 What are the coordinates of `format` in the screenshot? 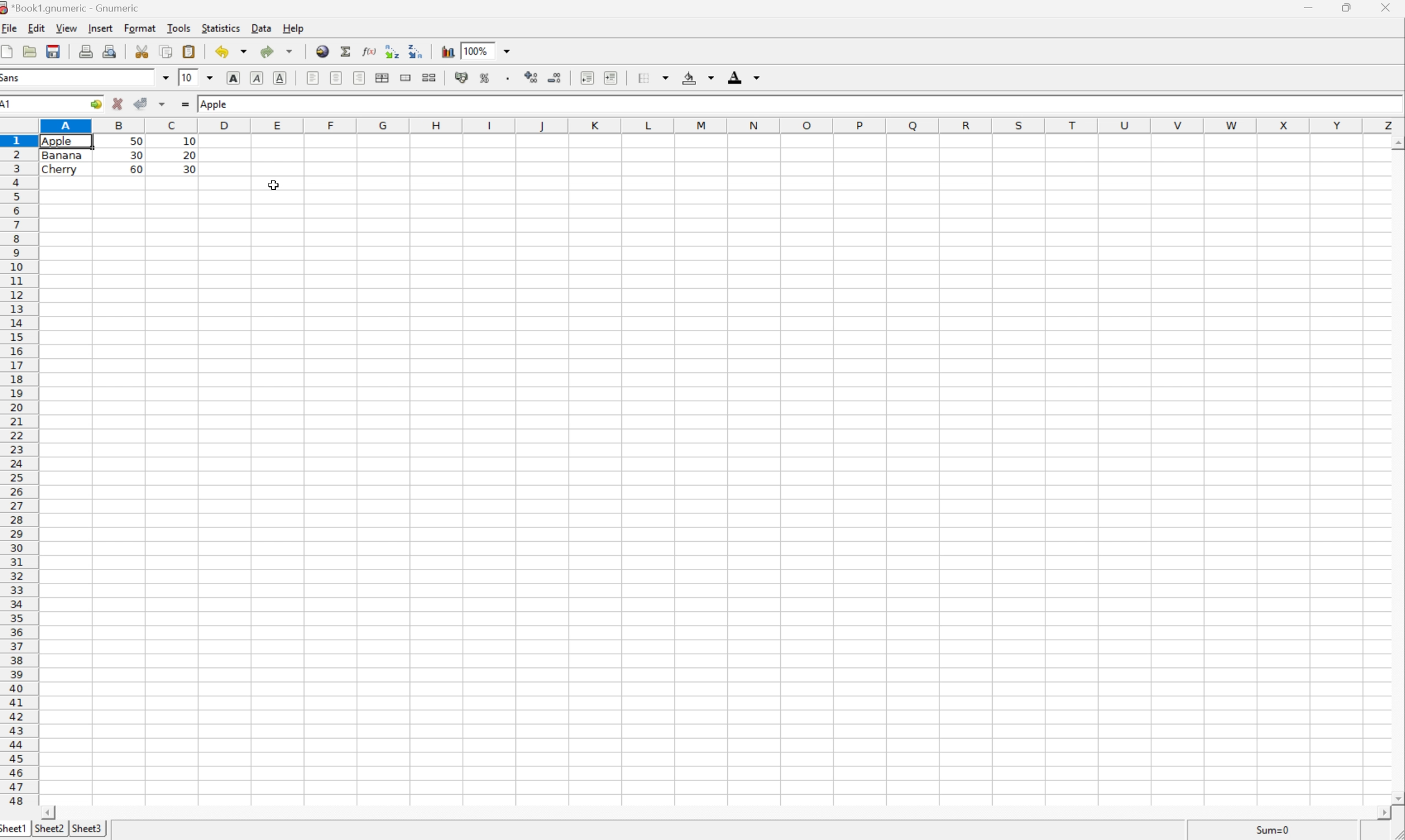 It's located at (140, 28).